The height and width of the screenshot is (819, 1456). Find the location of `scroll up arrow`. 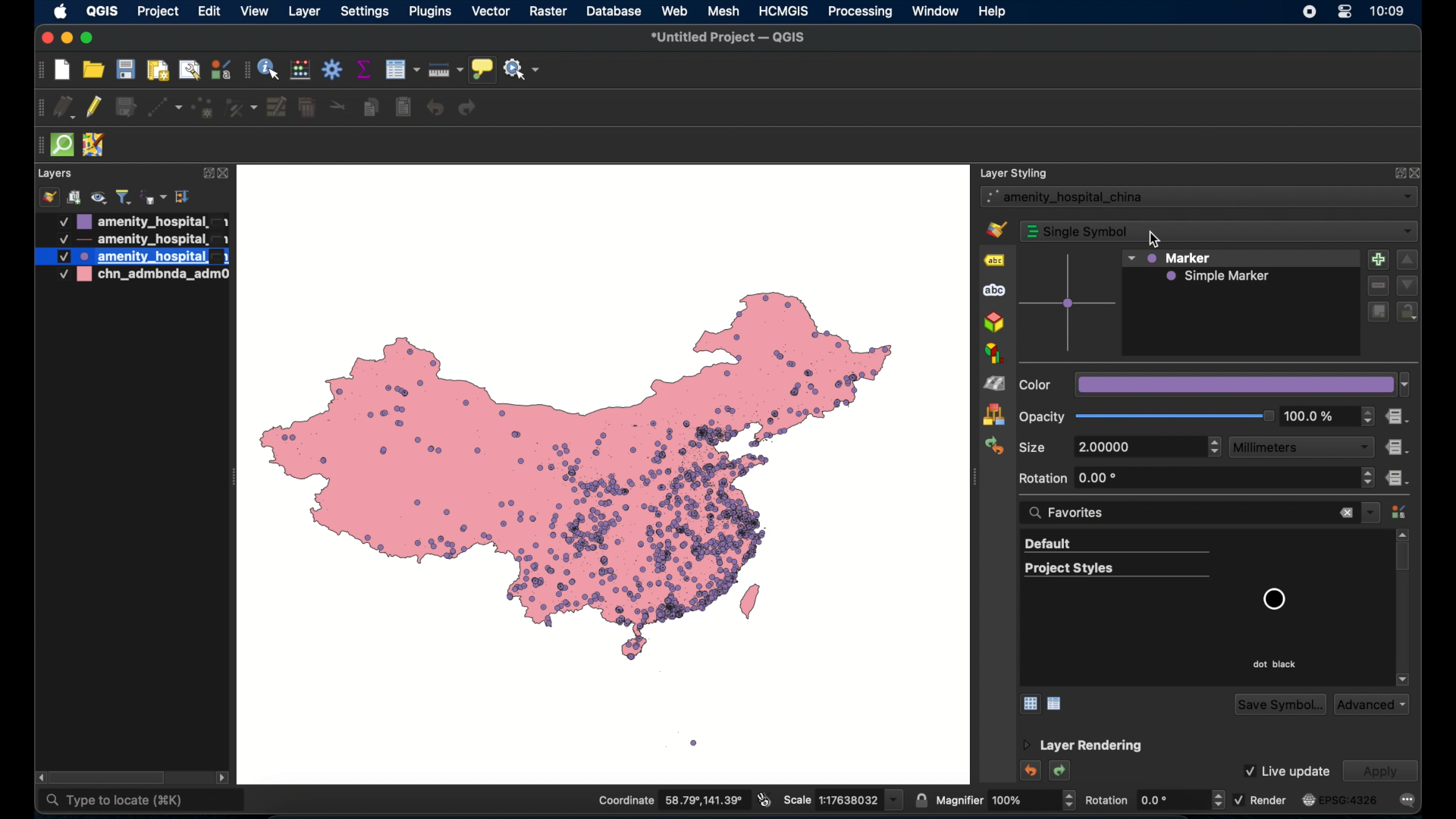

scroll up arrow is located at coordinates (1405, 534).